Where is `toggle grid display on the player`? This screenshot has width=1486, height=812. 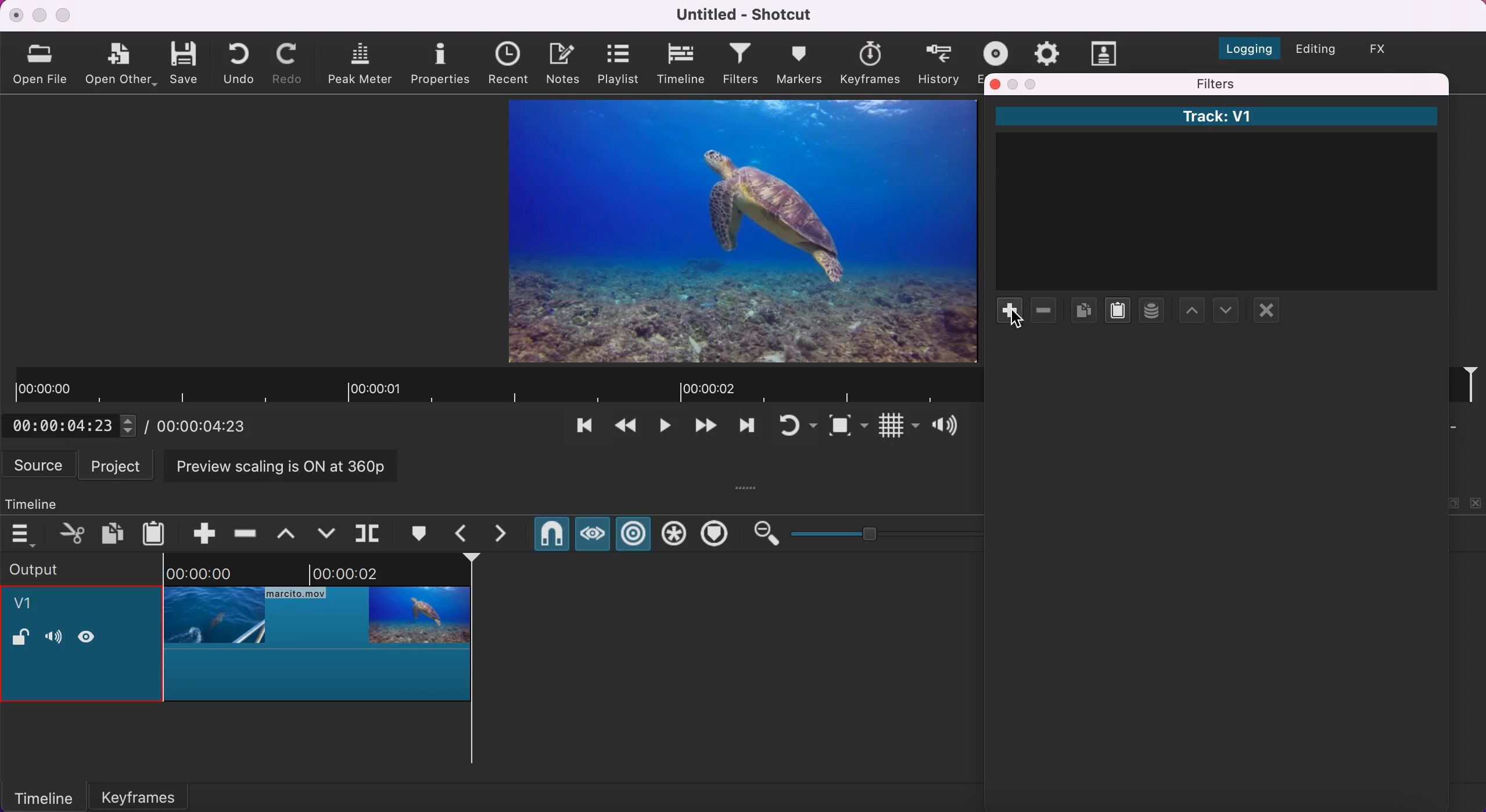 toggle grid display on the player is located at coordinates (897, 428).